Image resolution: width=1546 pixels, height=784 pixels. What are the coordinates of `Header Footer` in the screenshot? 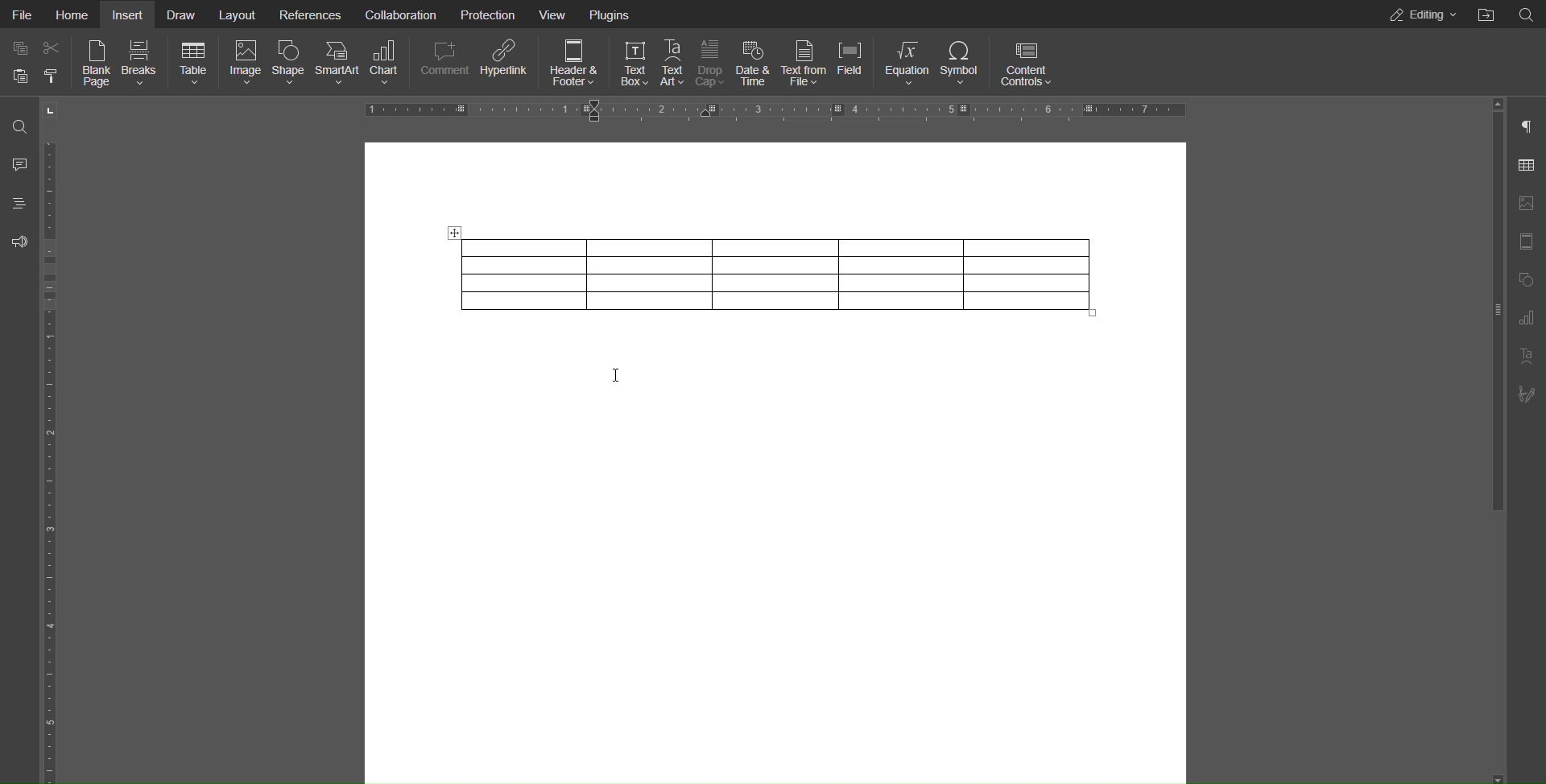 It's located at (571, 64).